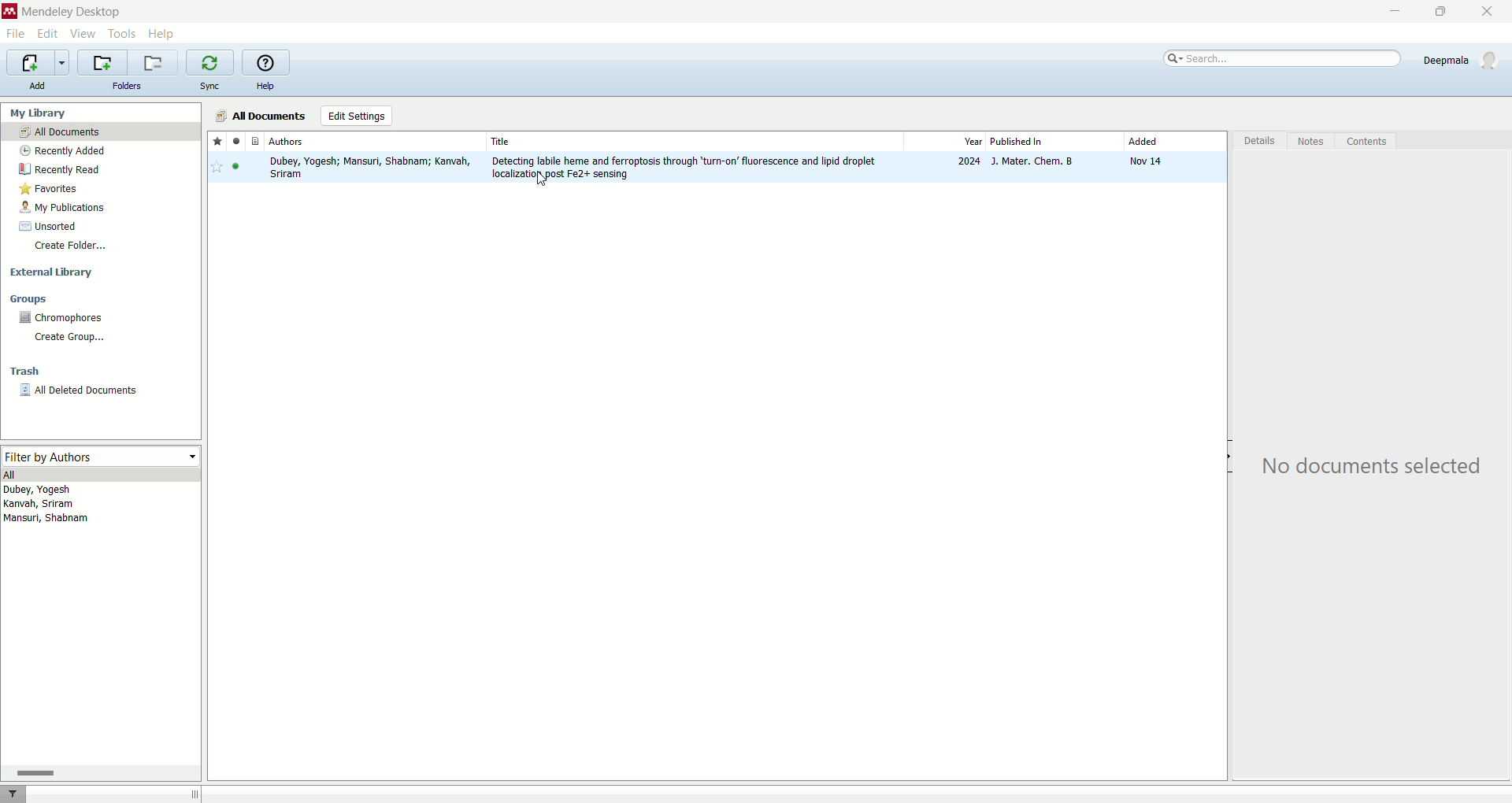  Describe the element at coordinates (1442, 11) in the screenshot. I see `maximize` at that location.